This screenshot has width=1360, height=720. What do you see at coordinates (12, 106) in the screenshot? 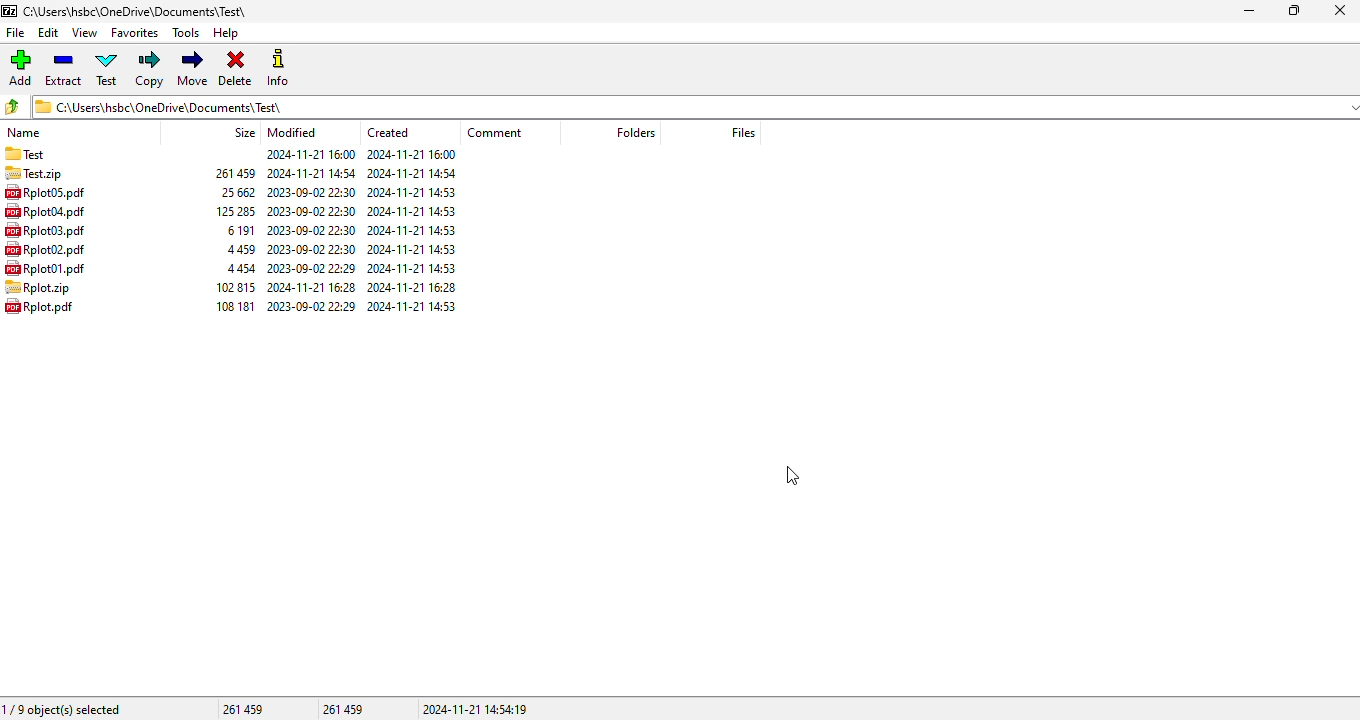
I see `browse folders` at bounding box center [12, 106].